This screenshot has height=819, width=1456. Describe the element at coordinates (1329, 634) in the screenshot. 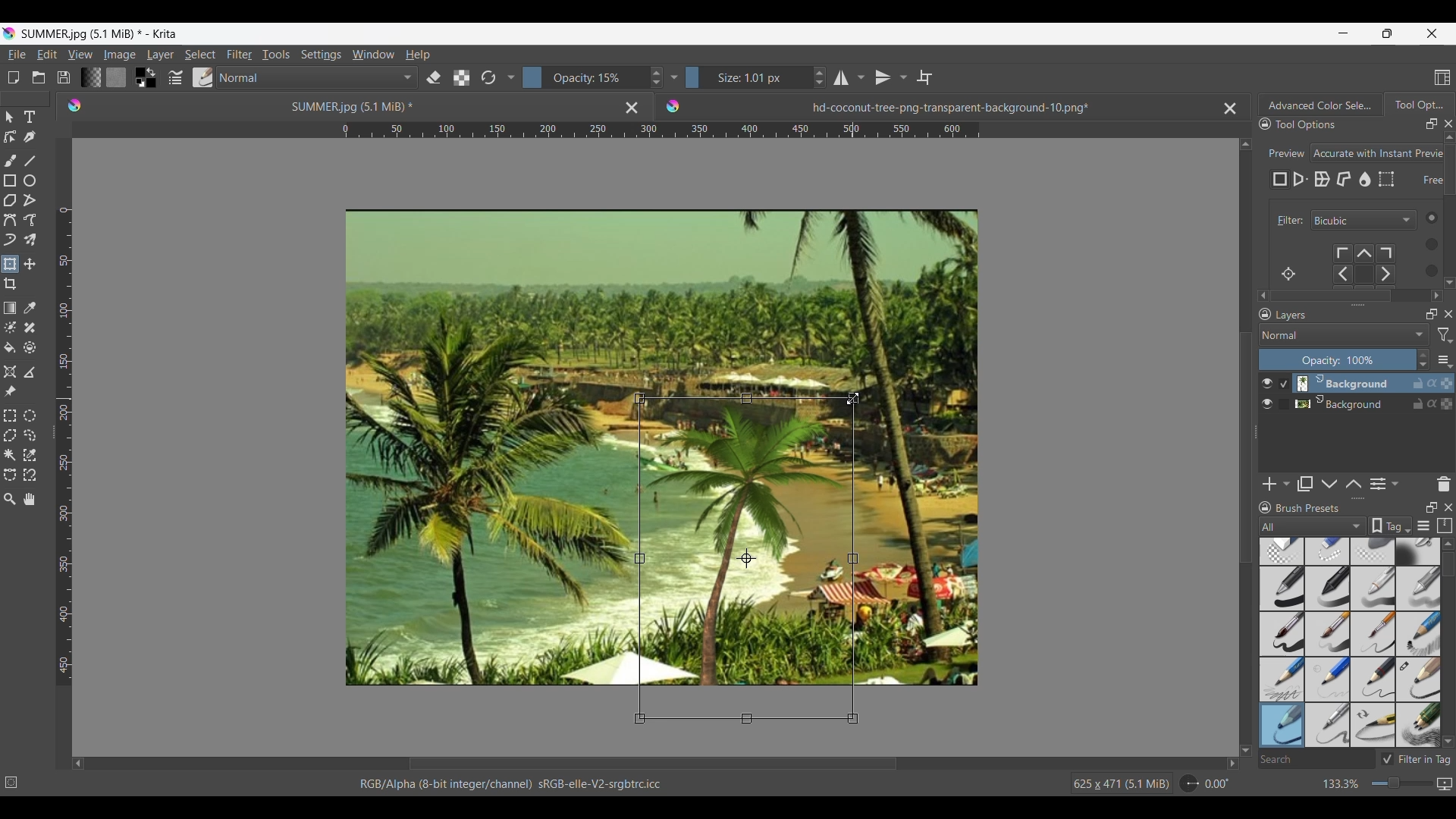

I see `basic 5 - size opacity` at that location.